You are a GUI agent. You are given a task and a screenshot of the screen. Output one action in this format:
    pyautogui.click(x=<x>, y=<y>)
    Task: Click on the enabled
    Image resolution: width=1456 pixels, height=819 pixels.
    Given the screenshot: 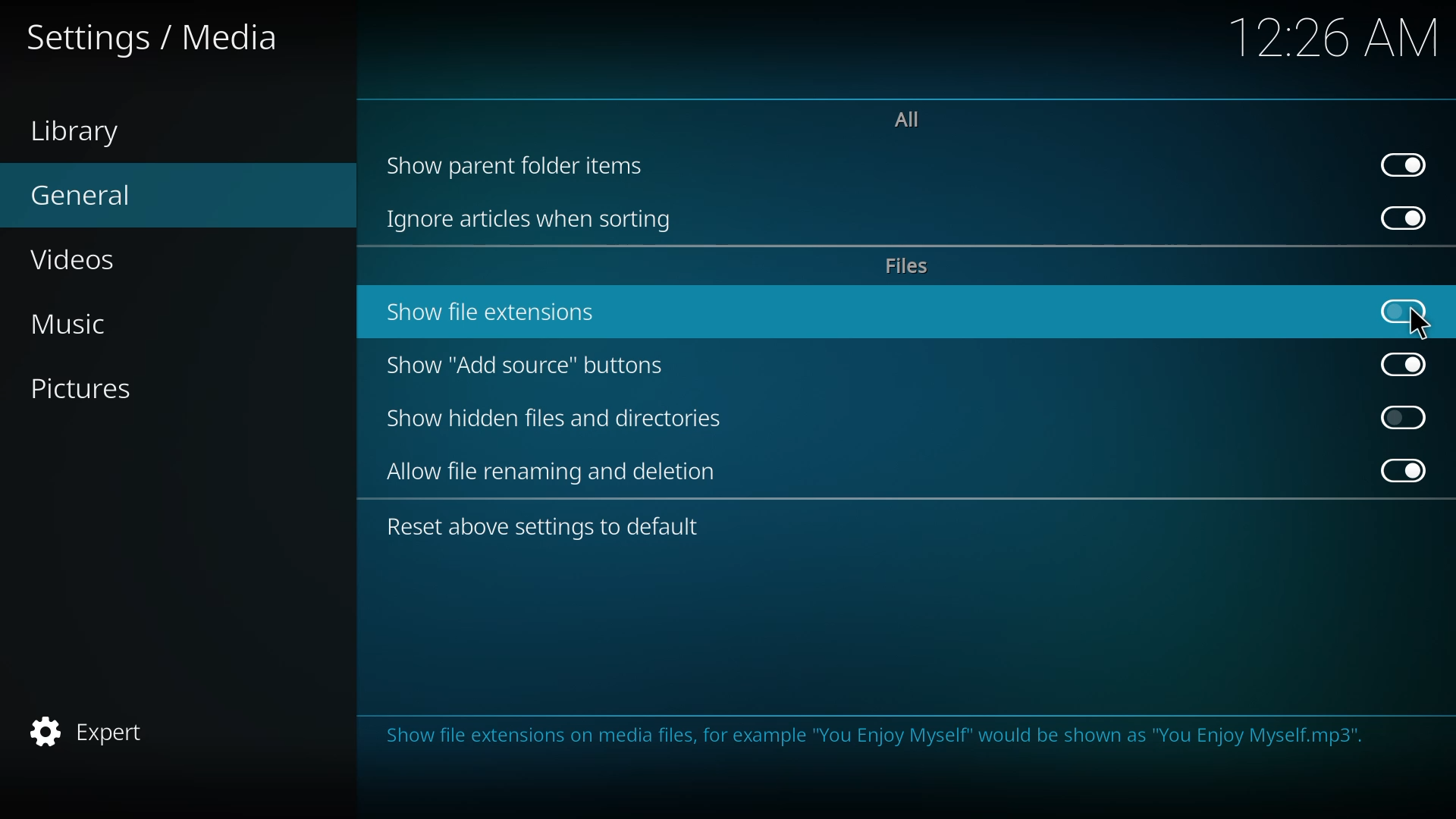 What is the action you would take?
    pyautogui.click(x=1407, y=472)
    